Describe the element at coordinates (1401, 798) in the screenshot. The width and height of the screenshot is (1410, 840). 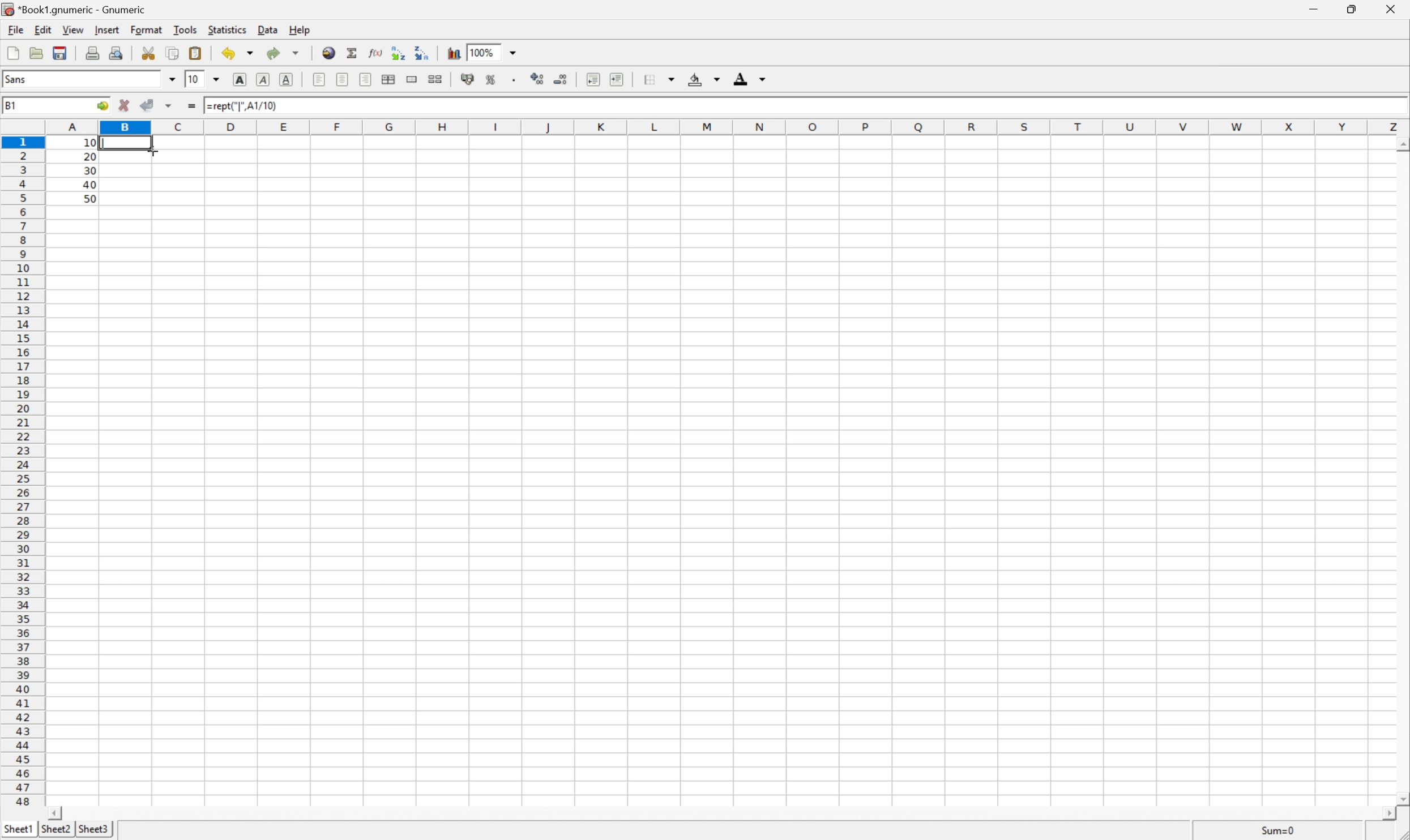
I see `Scroll Down` at that location.